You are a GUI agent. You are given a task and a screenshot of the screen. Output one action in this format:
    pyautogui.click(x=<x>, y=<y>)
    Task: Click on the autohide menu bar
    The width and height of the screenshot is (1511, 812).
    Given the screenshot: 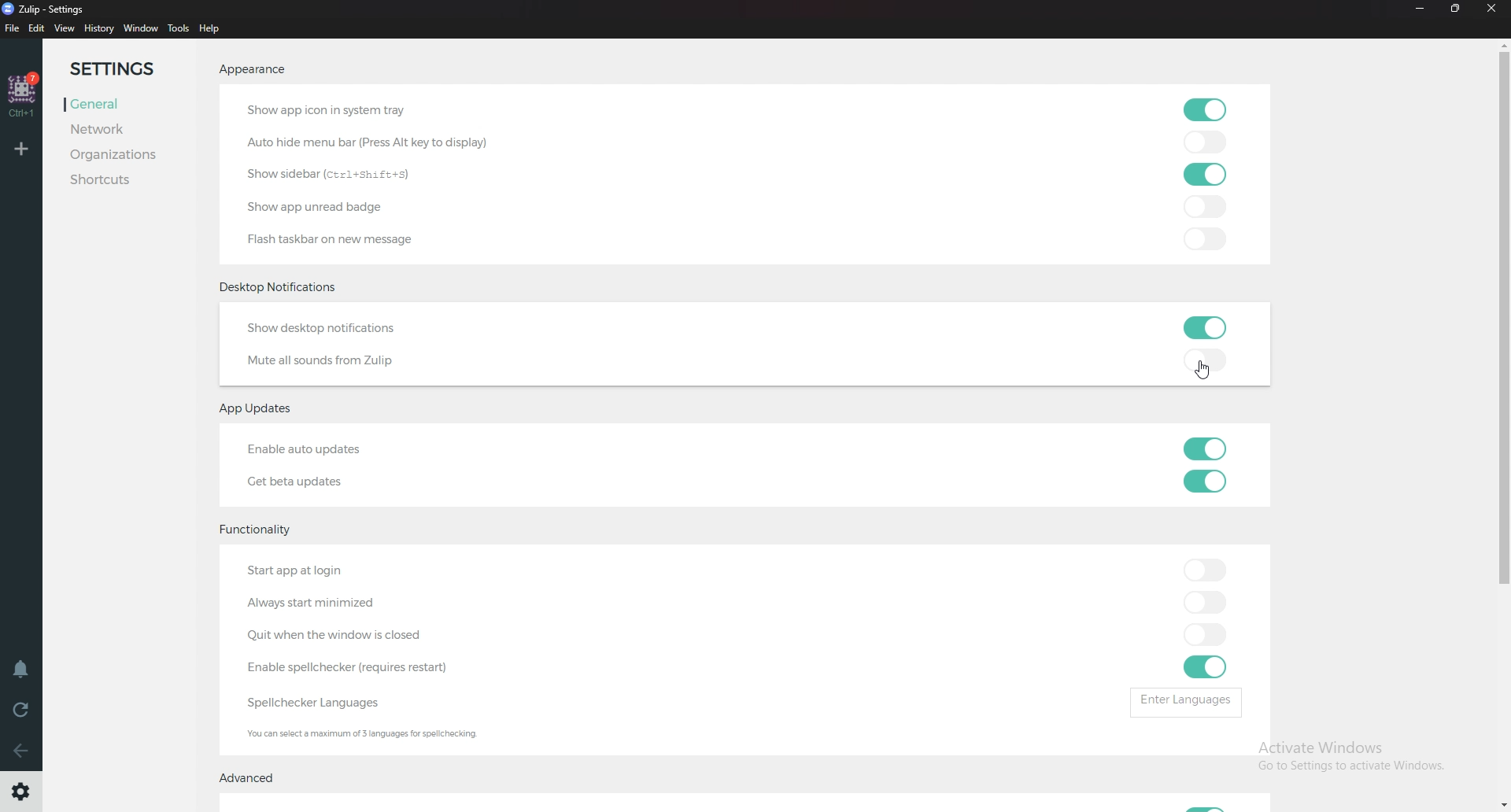 What is the action you would take?
    pyautogui.click(x=375, y=141)
    